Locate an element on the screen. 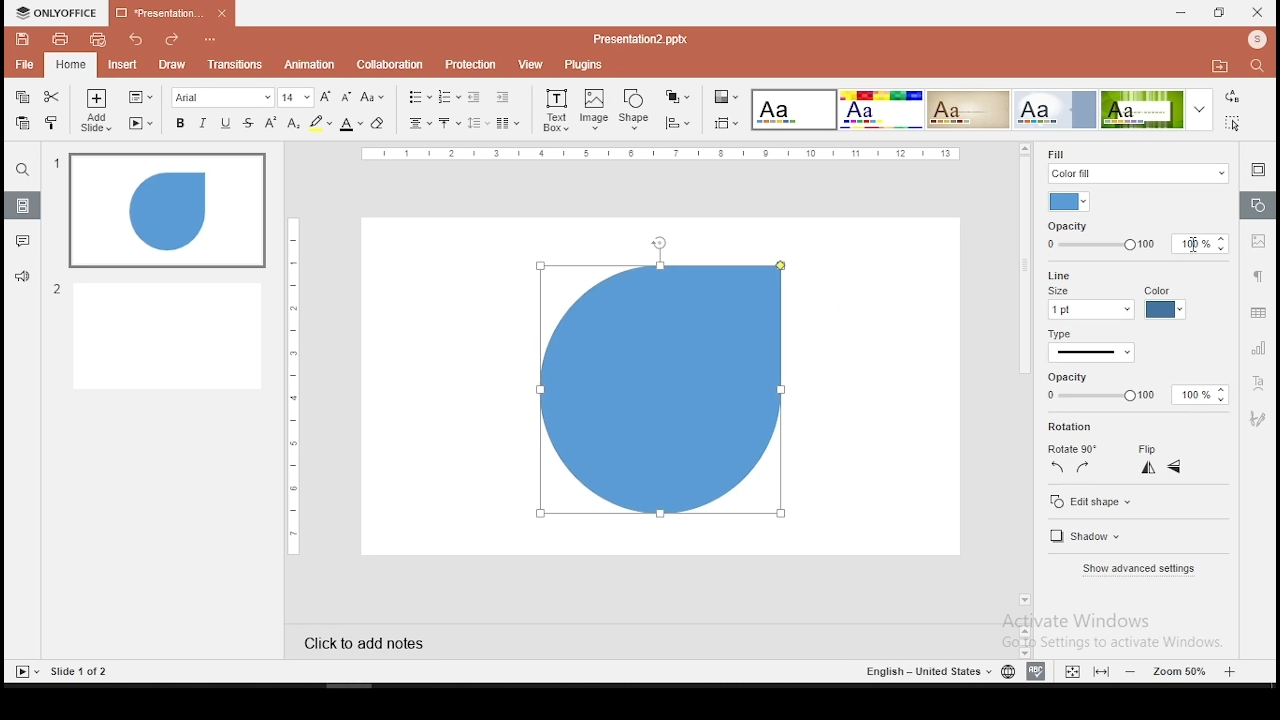 The image size is (1280, 720). english - united states is located at coordinates (925, 674).